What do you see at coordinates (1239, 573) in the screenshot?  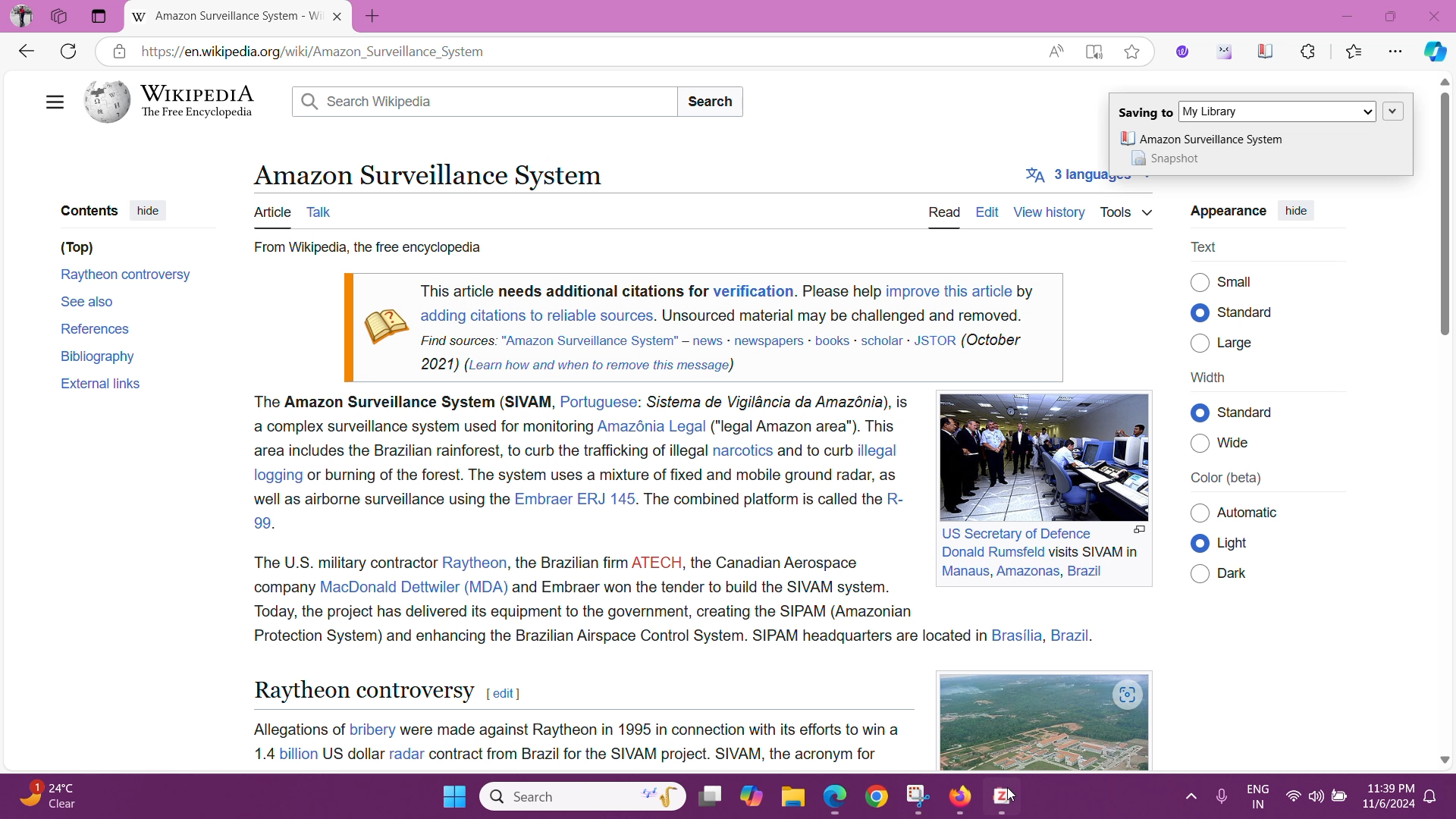 I see ` Dark` at bounding box center [1239, 573].